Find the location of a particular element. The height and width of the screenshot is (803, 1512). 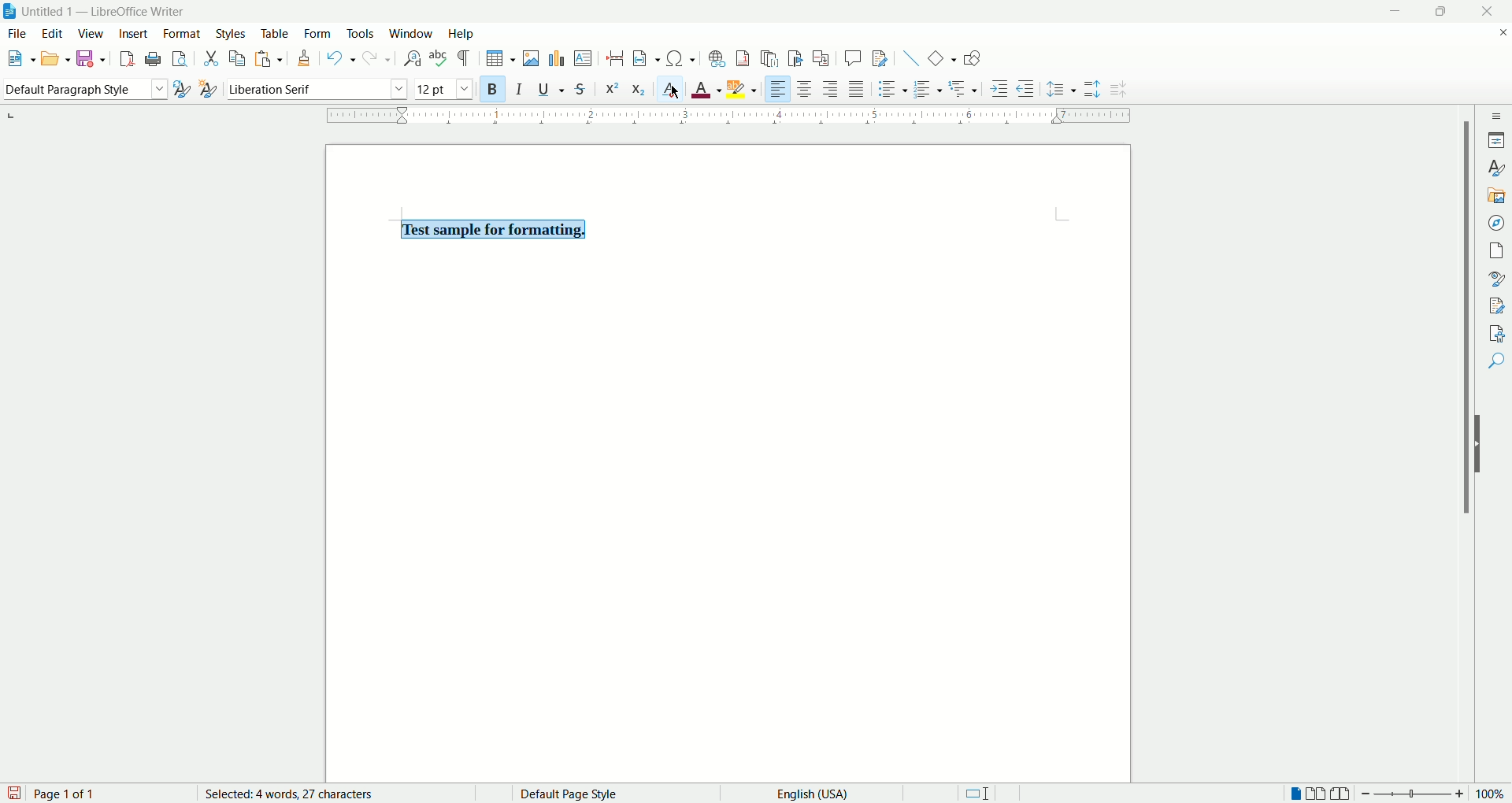

help is located at coordinates (465, 33).